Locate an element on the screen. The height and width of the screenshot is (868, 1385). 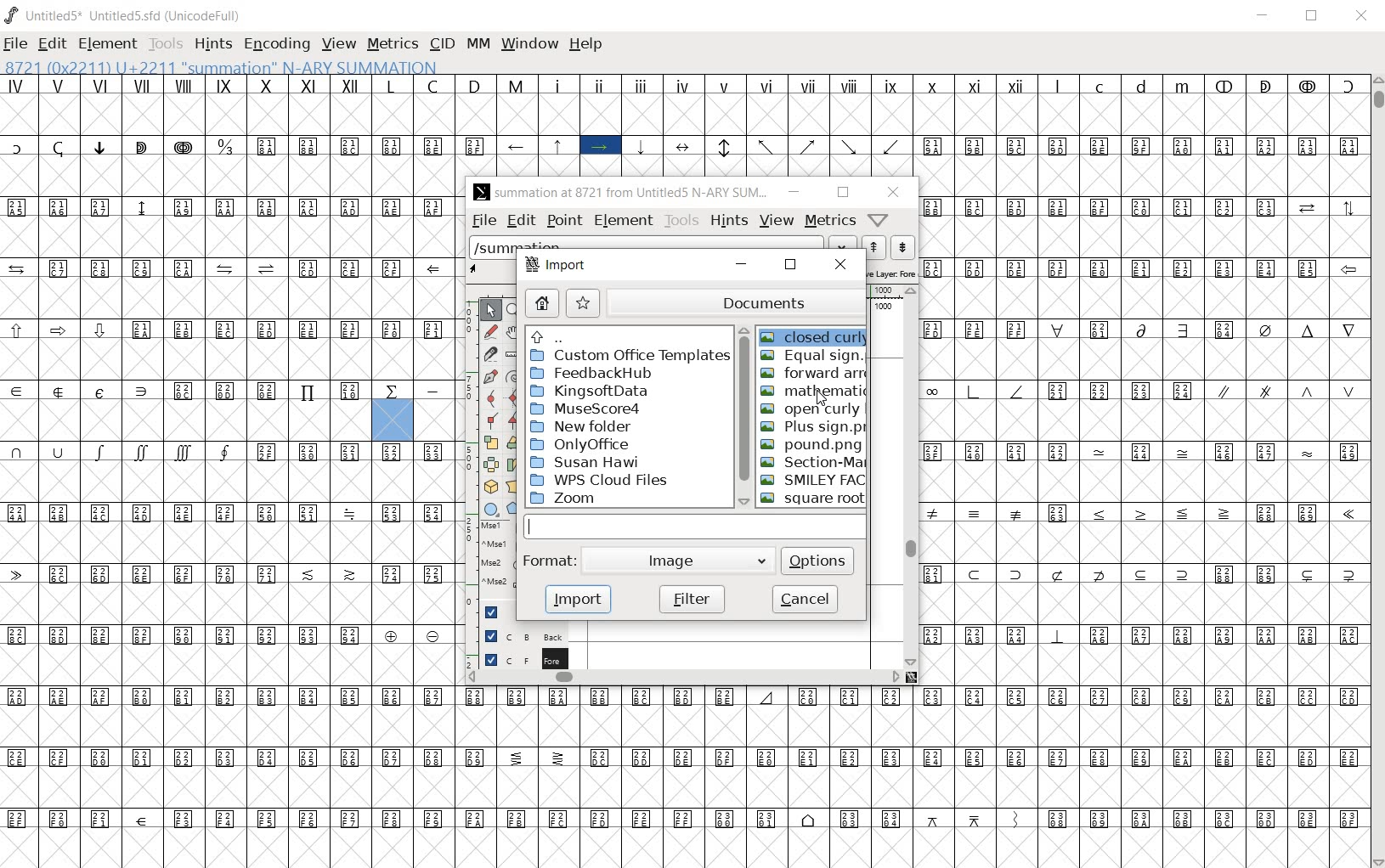
show the previous word on the list is located at coordinates (902, 245).